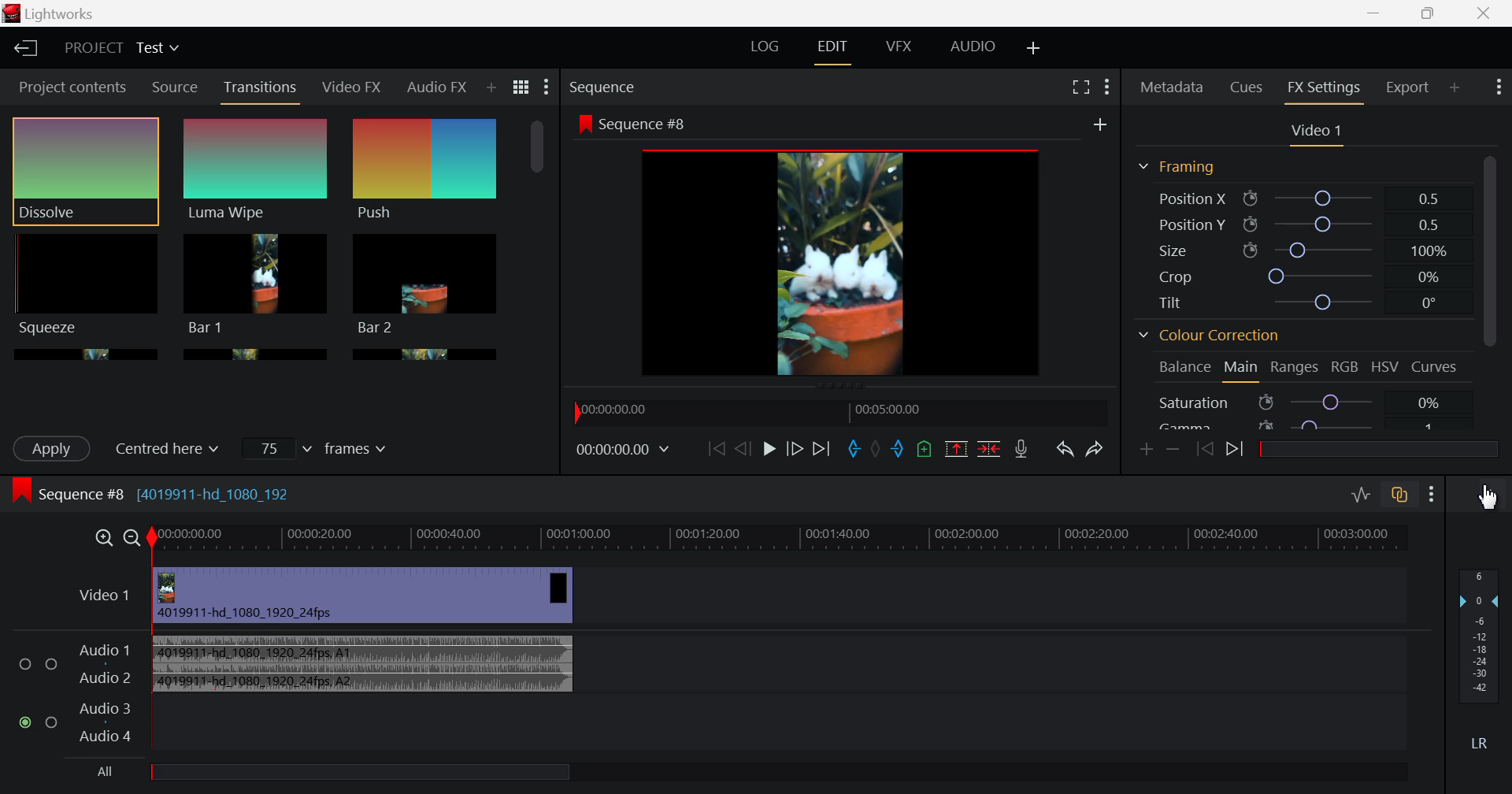 The width and height of the screenshot is (1512, 794). Describe the element at coordinates (1408, 87) in the screenshot. I see `Export` at that location.